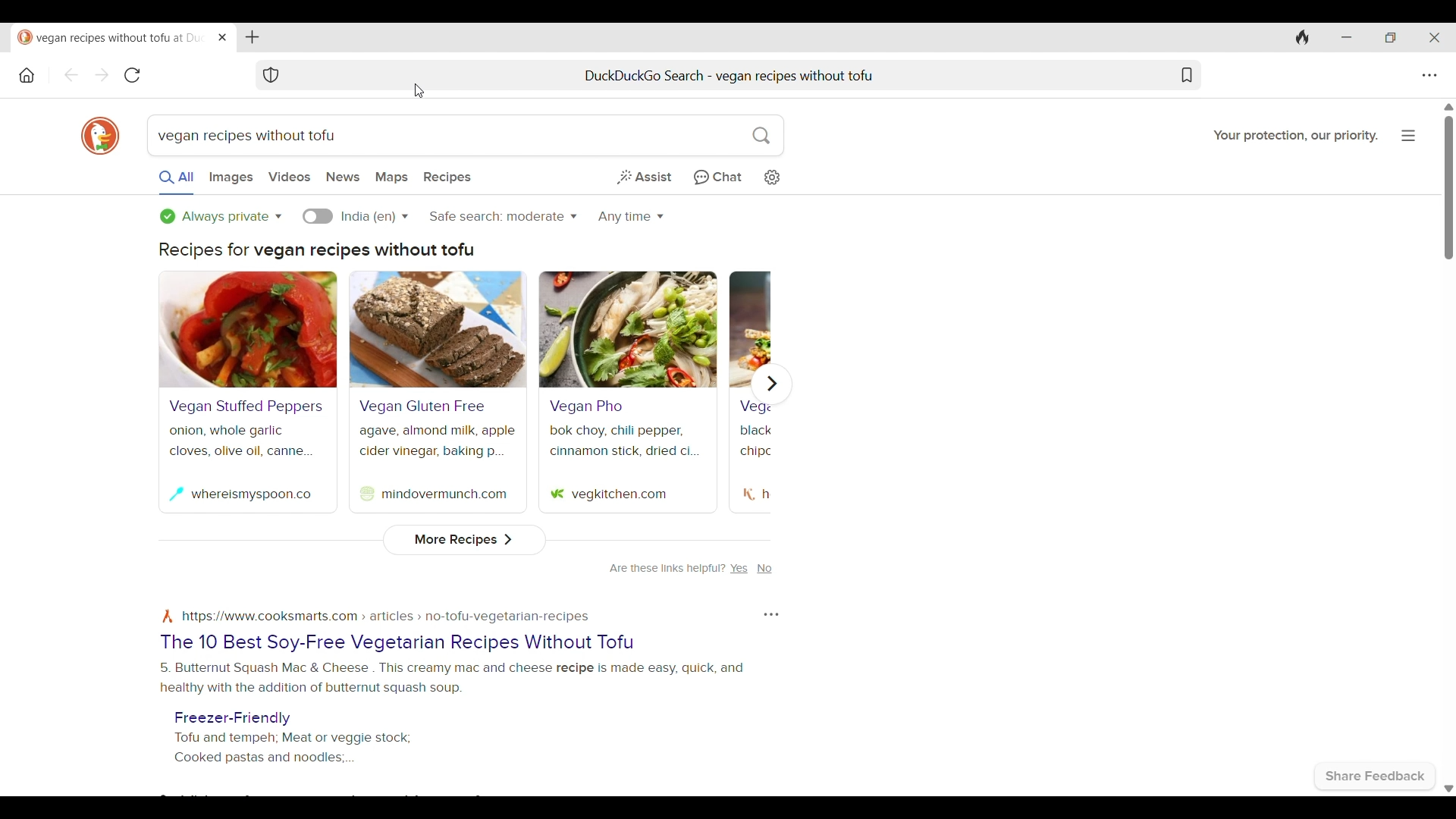 Image resolution: width=1456 pixels, height=819 pixels. I want to click on Site logo, so click(557, 494).